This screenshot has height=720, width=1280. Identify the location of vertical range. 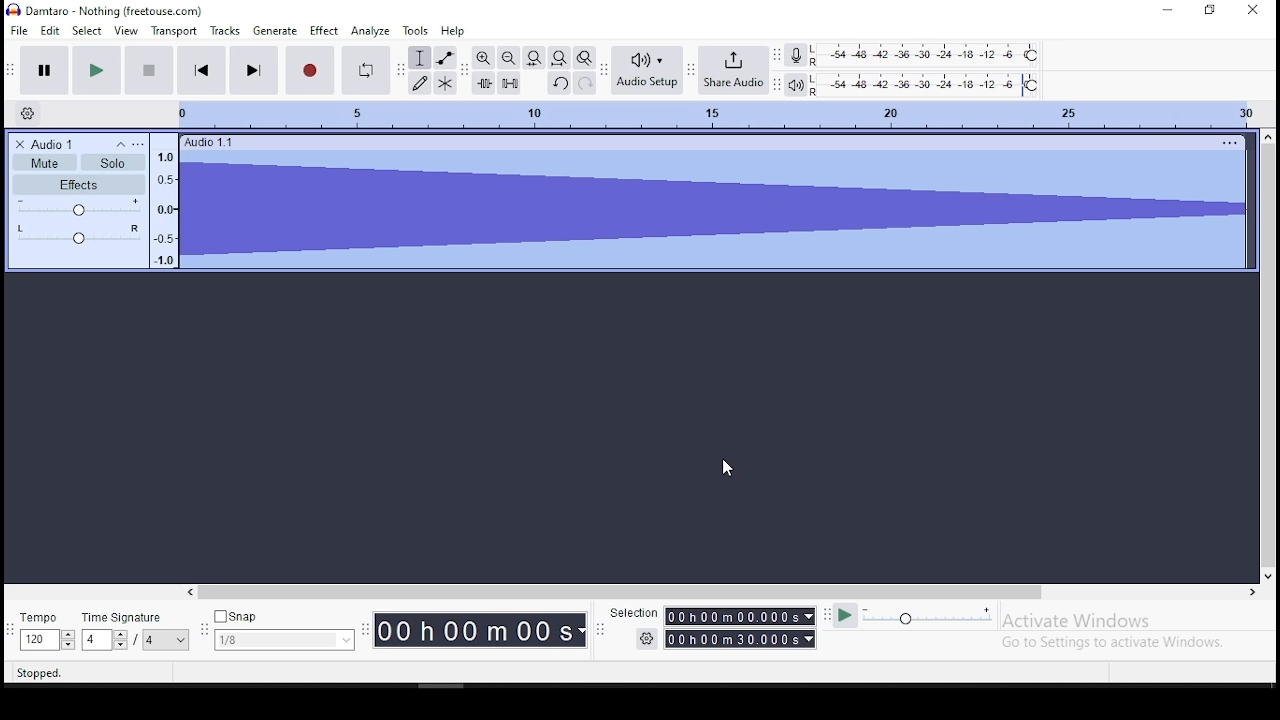
(708, 111).